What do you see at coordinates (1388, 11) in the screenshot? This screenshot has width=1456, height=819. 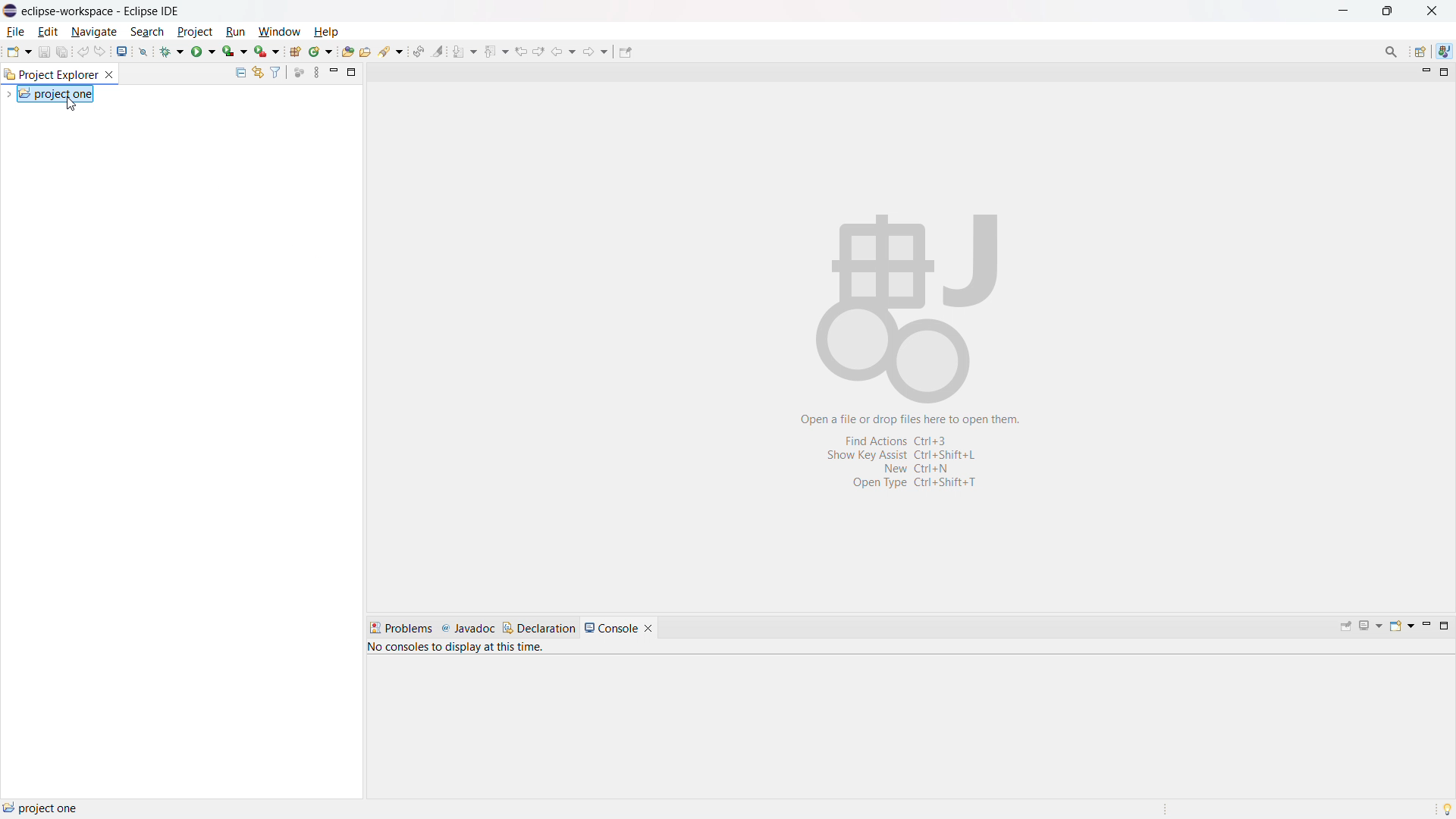 I see `minimize` at bounding box center [1388, 11].